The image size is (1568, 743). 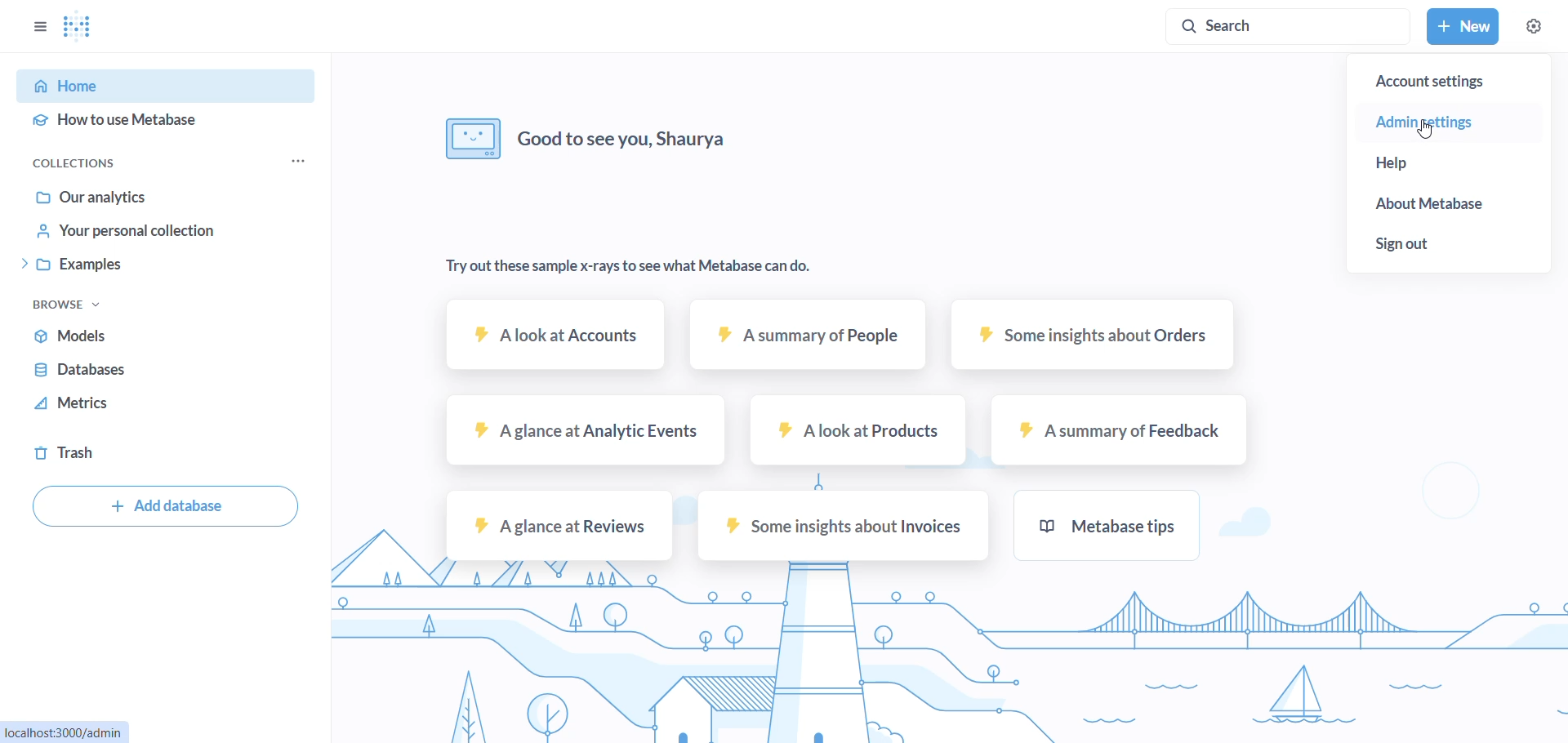 I want to click on about metabase, so click(x=1439, y=203).